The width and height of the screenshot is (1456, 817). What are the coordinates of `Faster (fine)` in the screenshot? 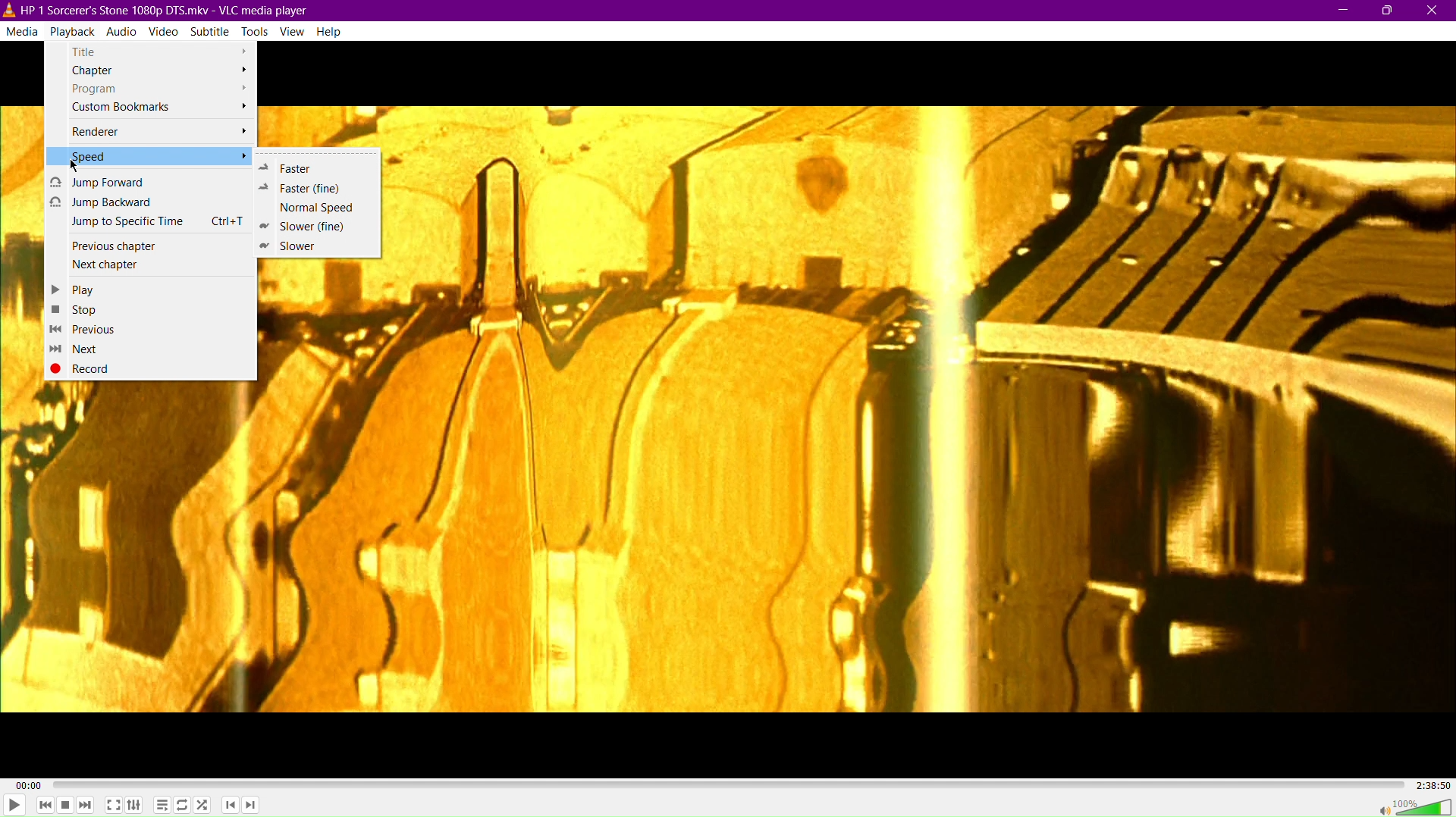 It's located at (308, 187).